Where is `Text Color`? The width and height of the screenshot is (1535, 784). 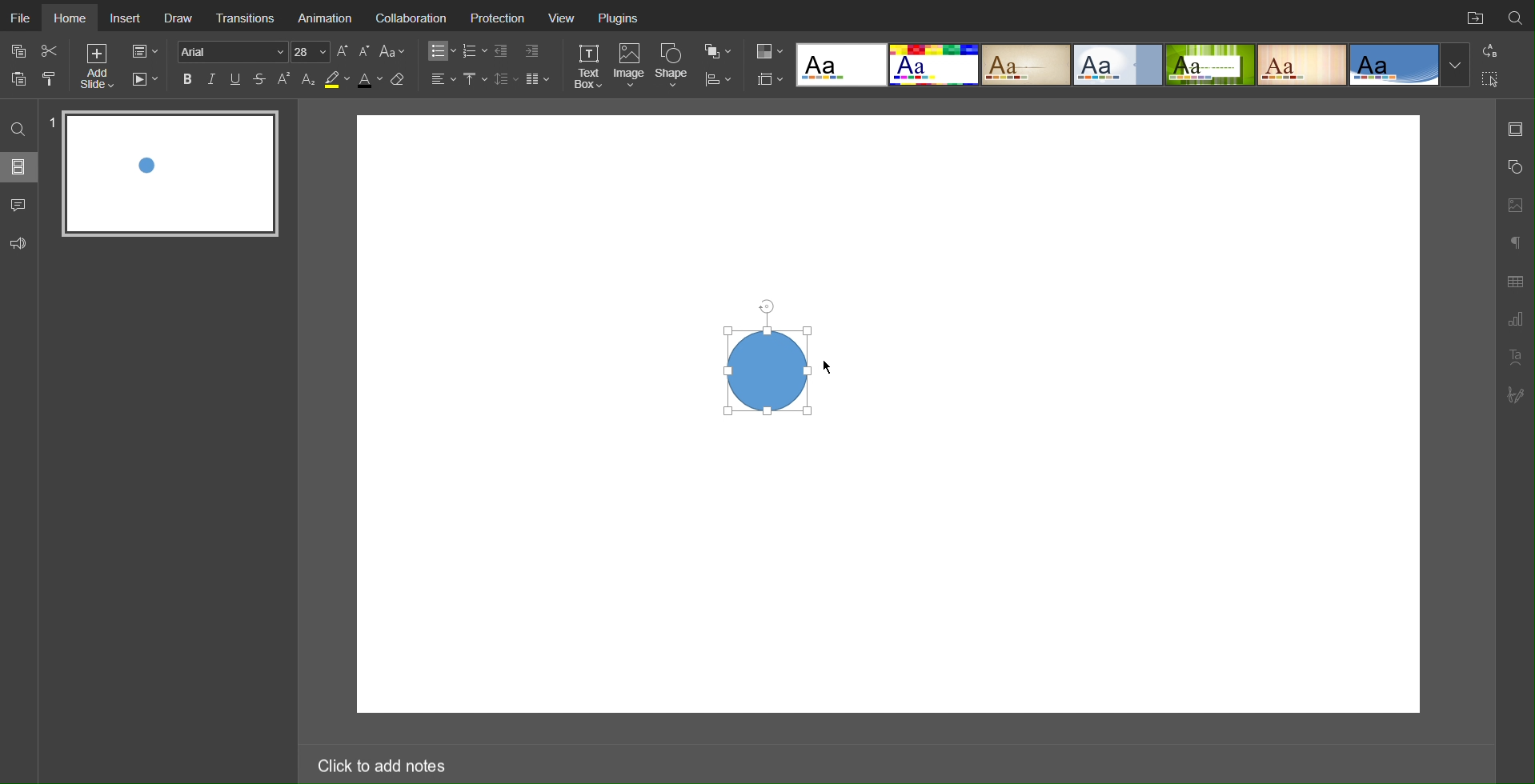 Text Color is located at coordinates (369, 80).